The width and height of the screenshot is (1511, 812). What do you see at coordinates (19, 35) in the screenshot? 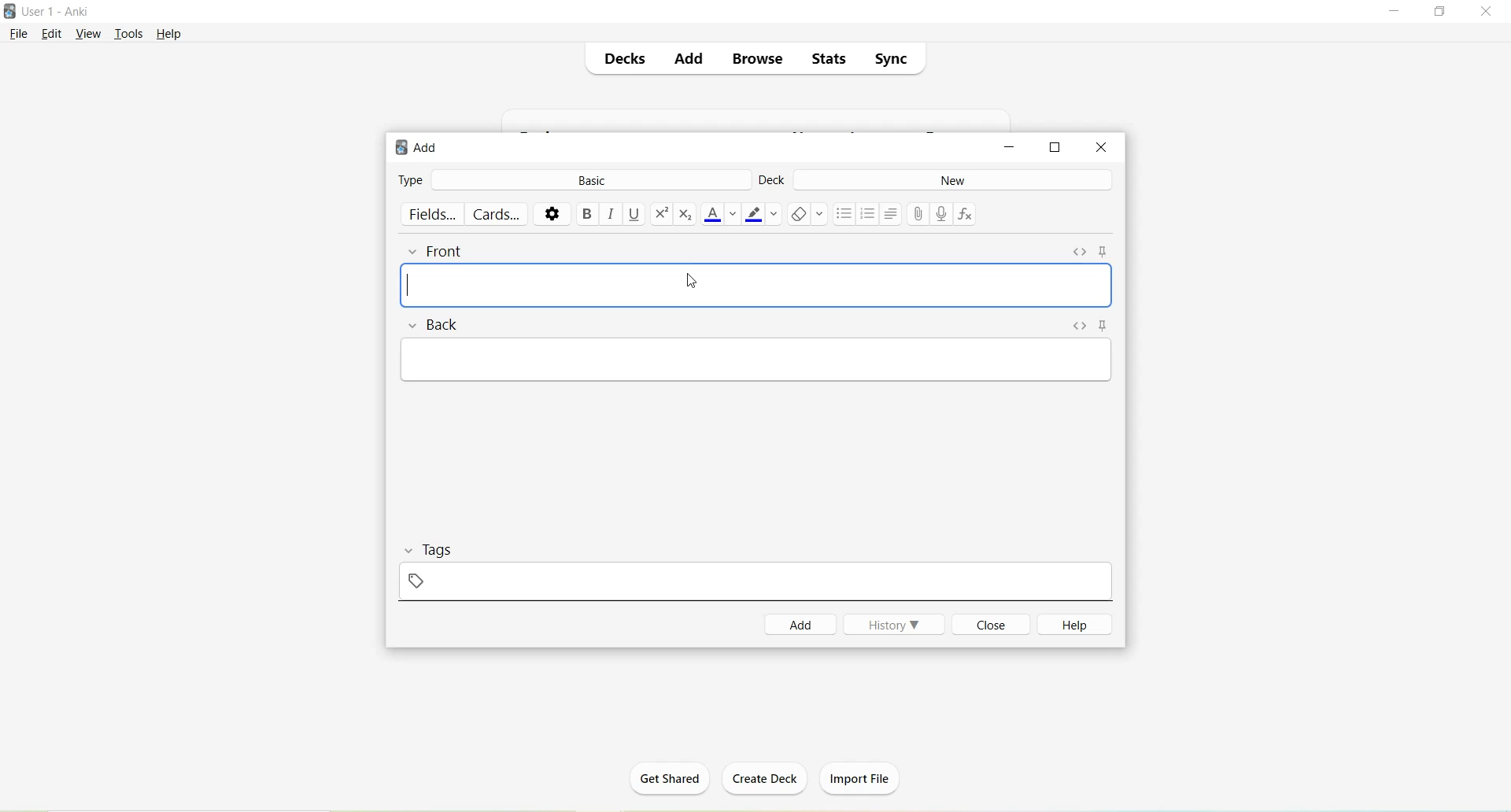
I see `File` at bounding box center [19, 35].